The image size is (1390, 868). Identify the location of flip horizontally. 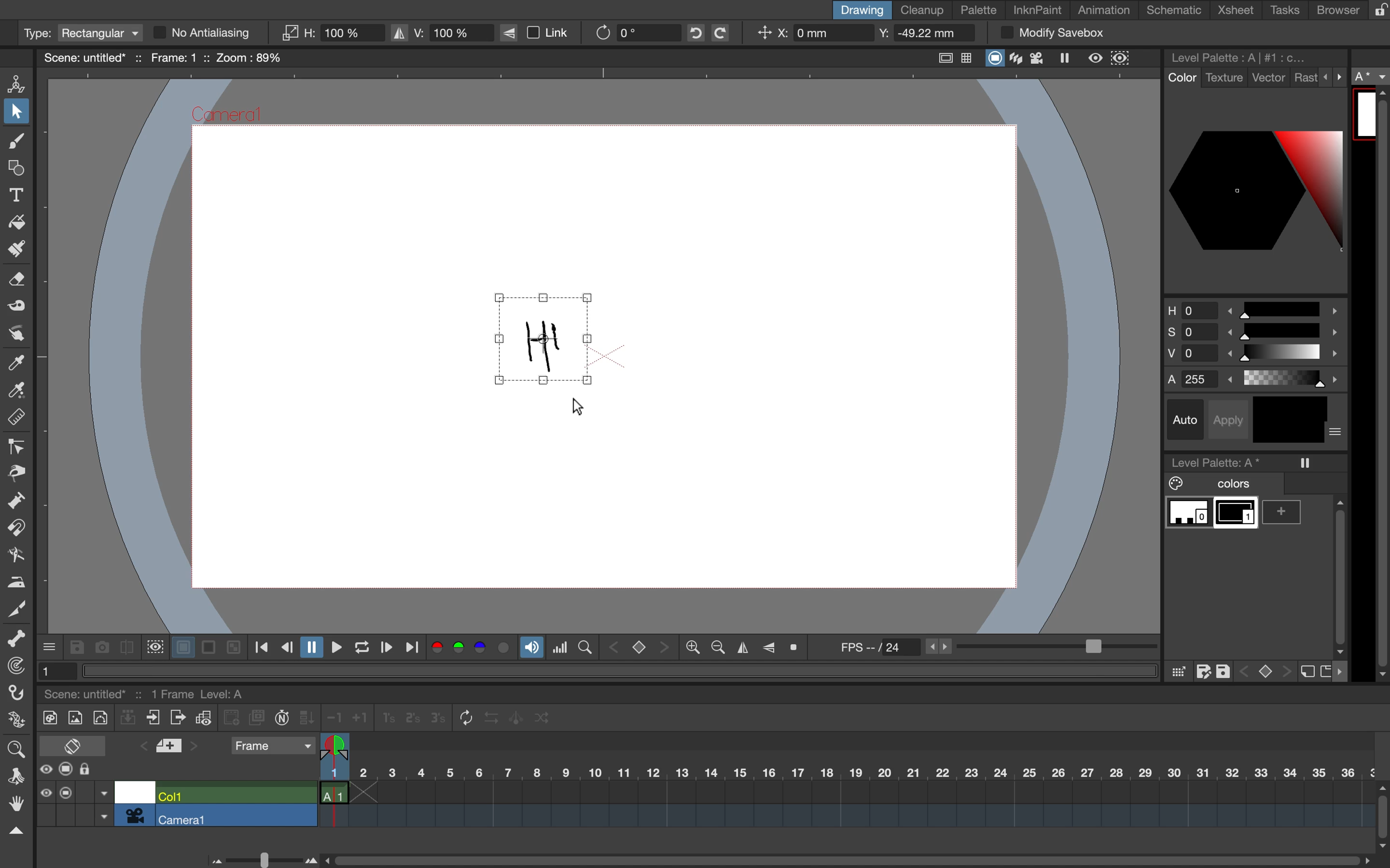
(740, 648).